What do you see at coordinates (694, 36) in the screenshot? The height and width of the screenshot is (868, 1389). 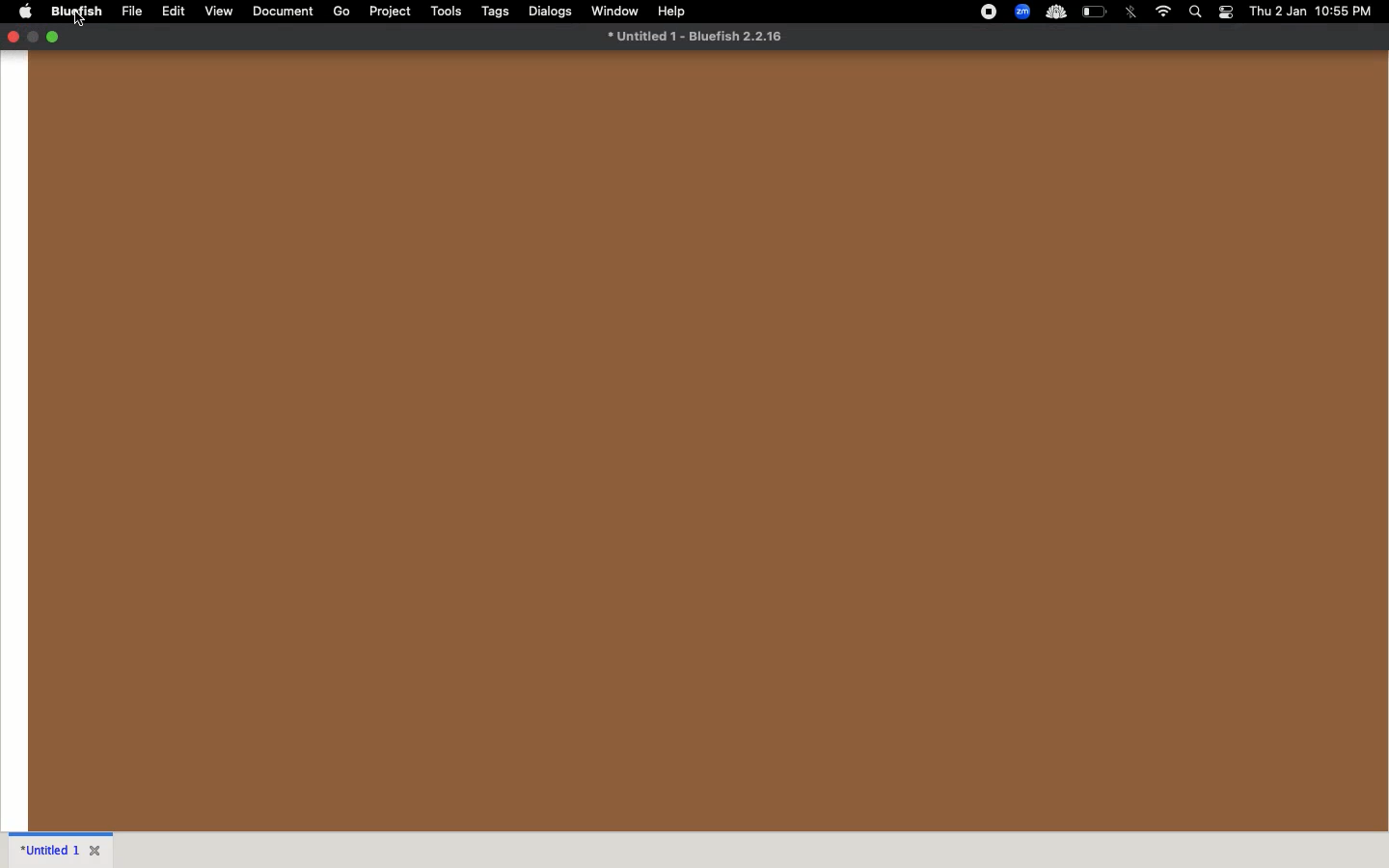 I see `untitled 1` at bounding box center [694, 36].